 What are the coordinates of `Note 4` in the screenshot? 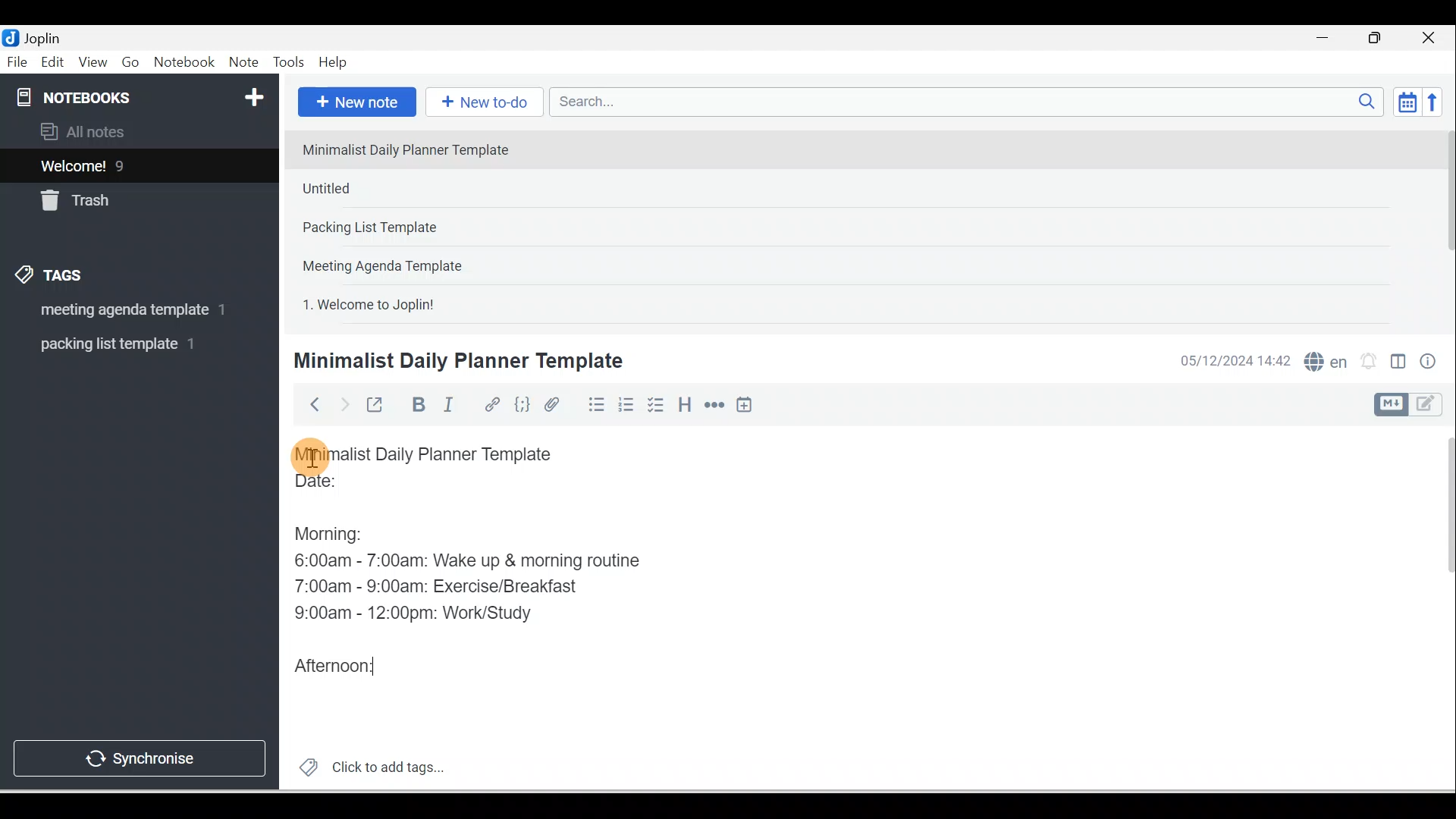 It's located at (403, 262).